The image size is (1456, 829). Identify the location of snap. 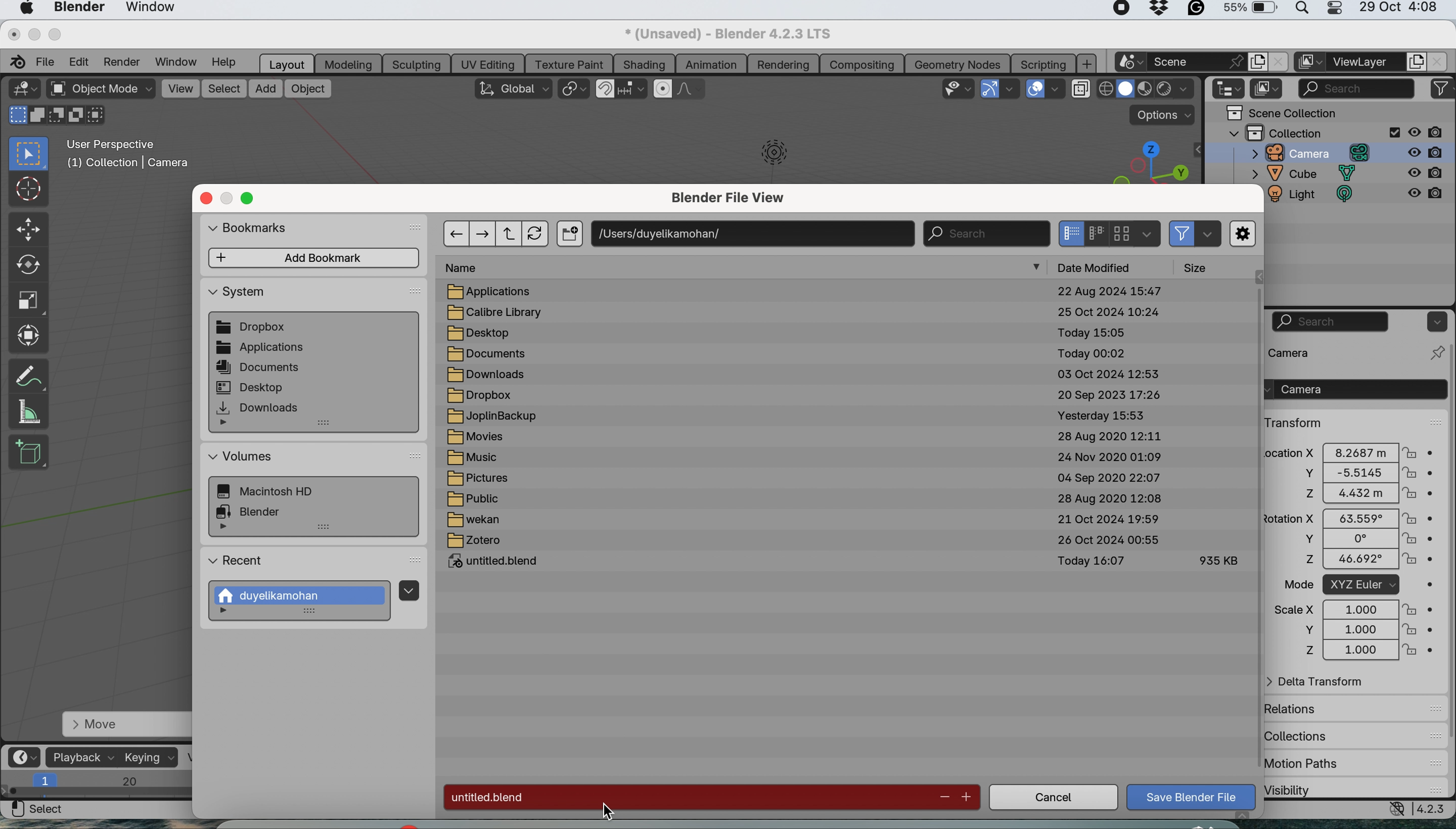
(606, 89).